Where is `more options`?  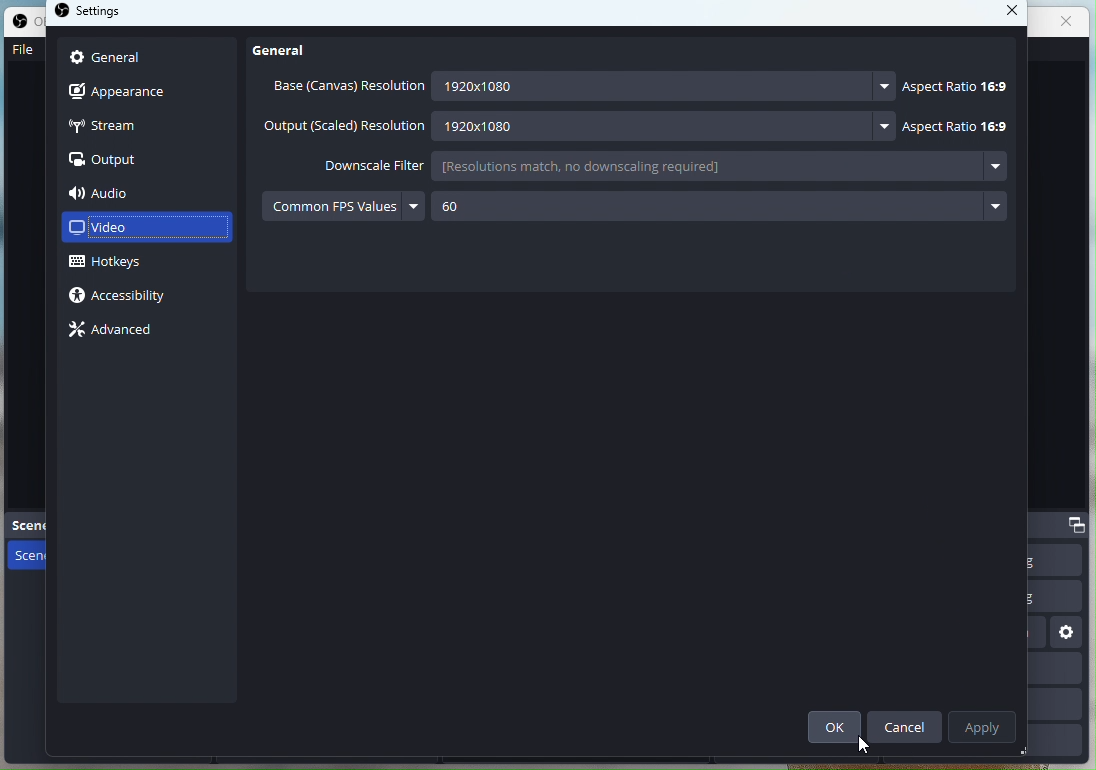 more options is located at coordinates (412, 205).